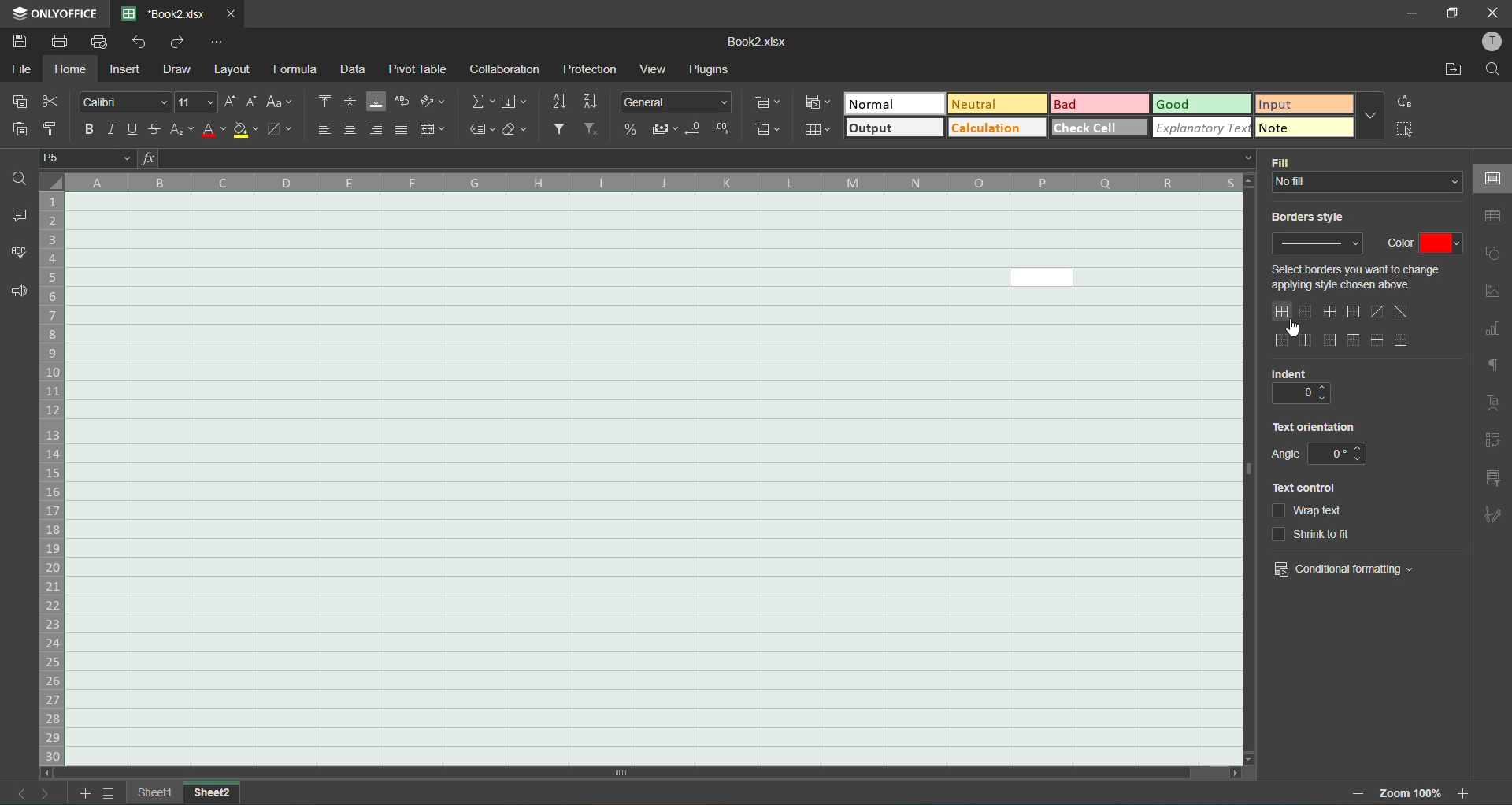  Describe the element at coordinates (502, 69) in the screenshot. I see `collaboration` at that location.